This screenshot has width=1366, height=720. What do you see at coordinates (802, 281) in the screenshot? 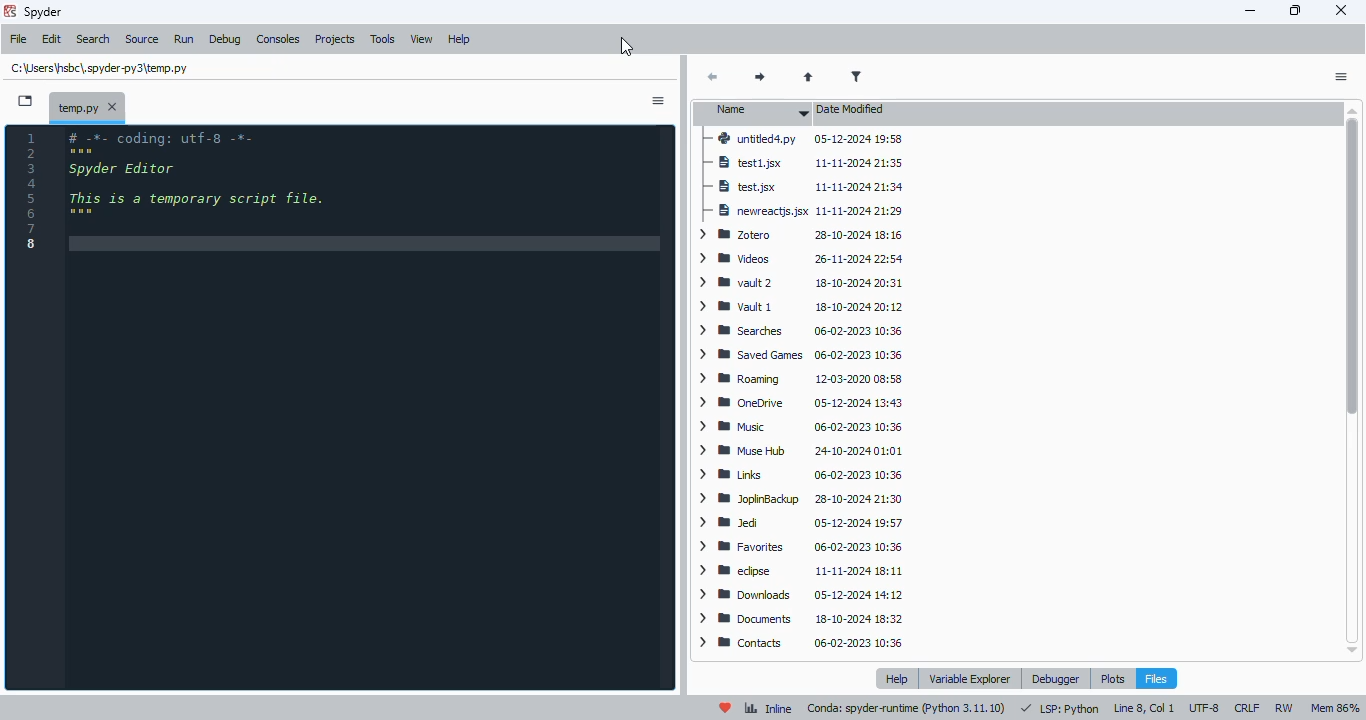
I see `vault 2` at bounding box center [802, 281].